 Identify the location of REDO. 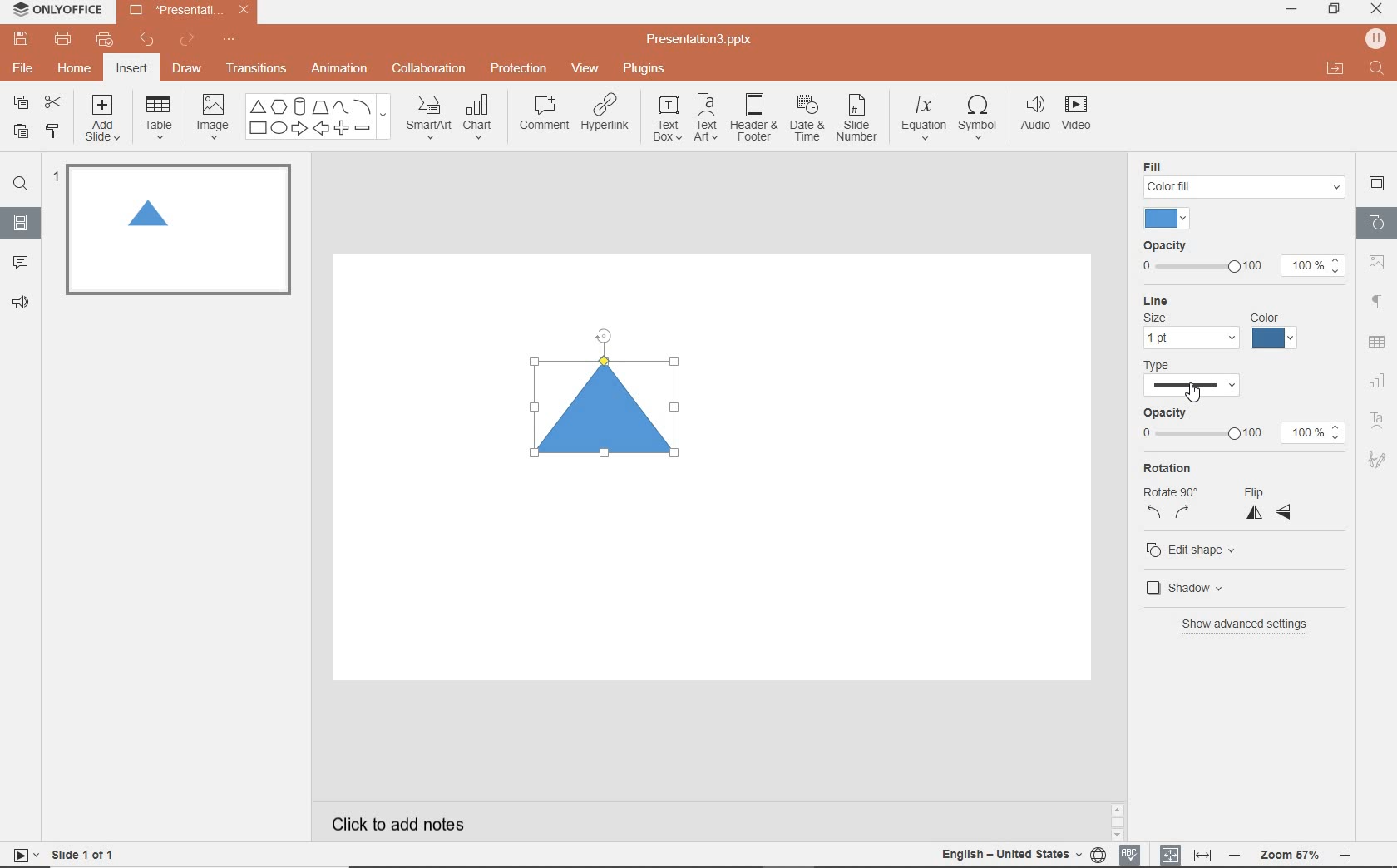
(189, 41).